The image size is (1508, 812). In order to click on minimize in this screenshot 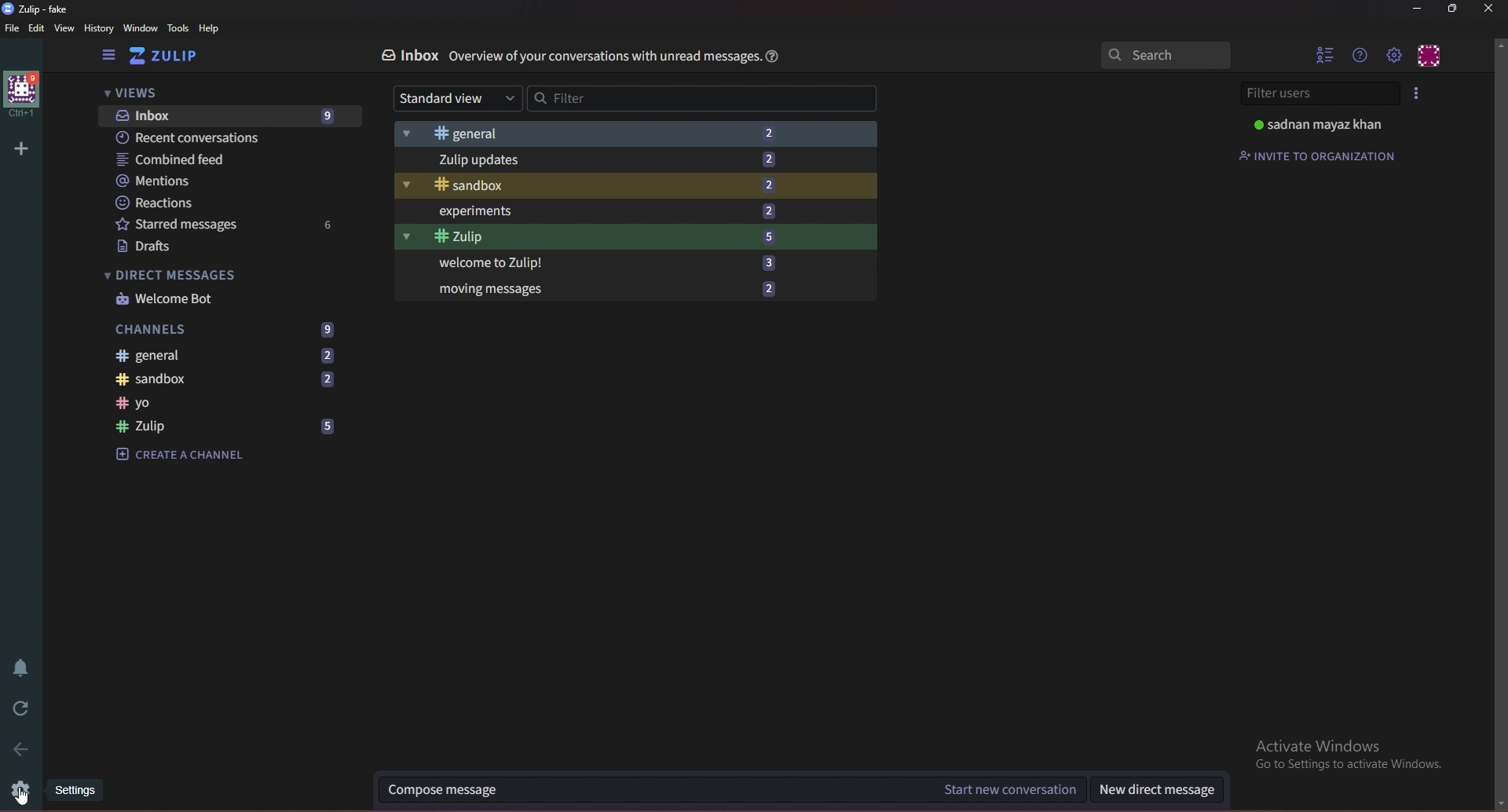, I will do `click(1418, 8)`.